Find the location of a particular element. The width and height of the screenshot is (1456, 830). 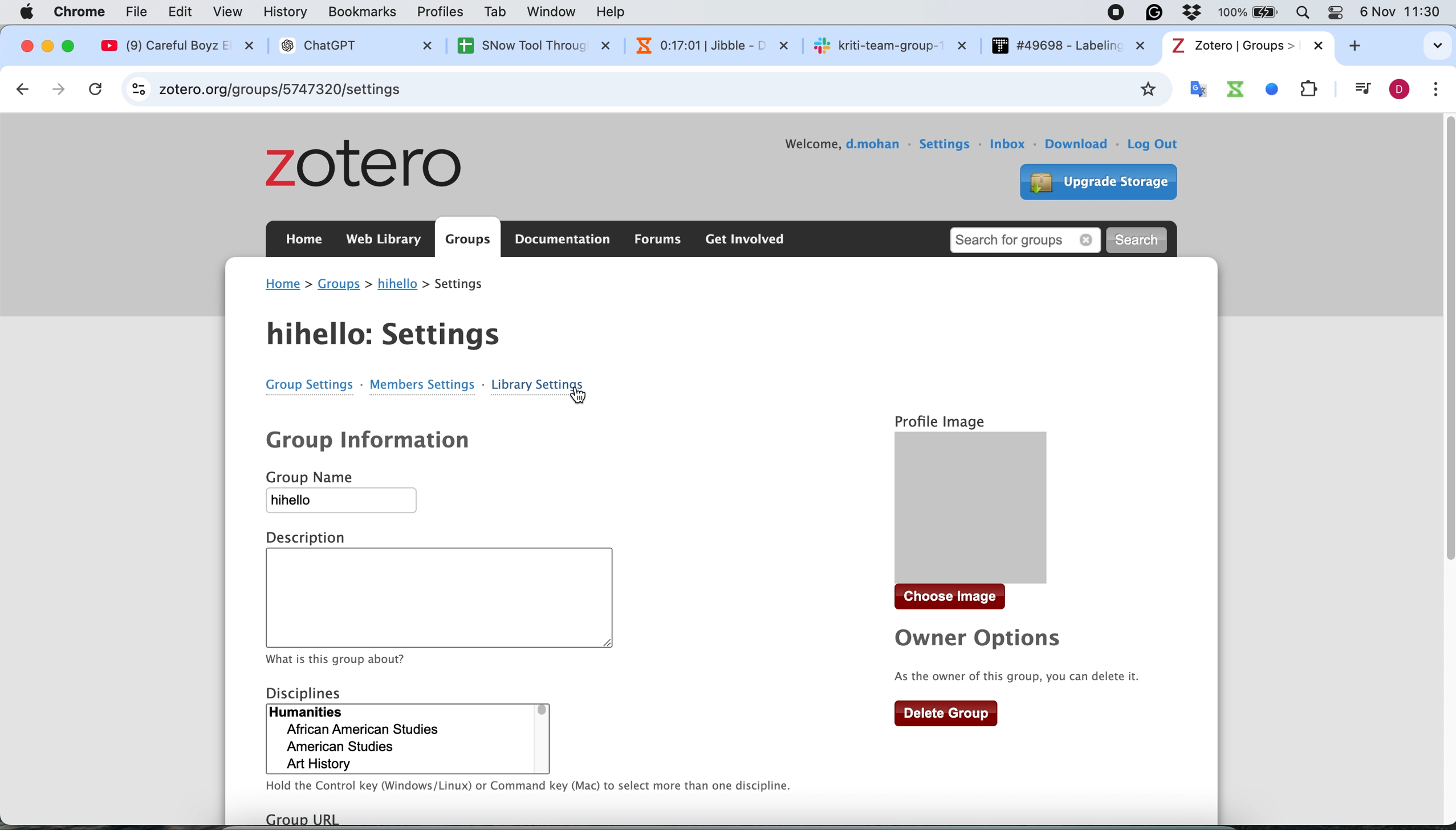

tab name is located at coordinates (1246, 46).